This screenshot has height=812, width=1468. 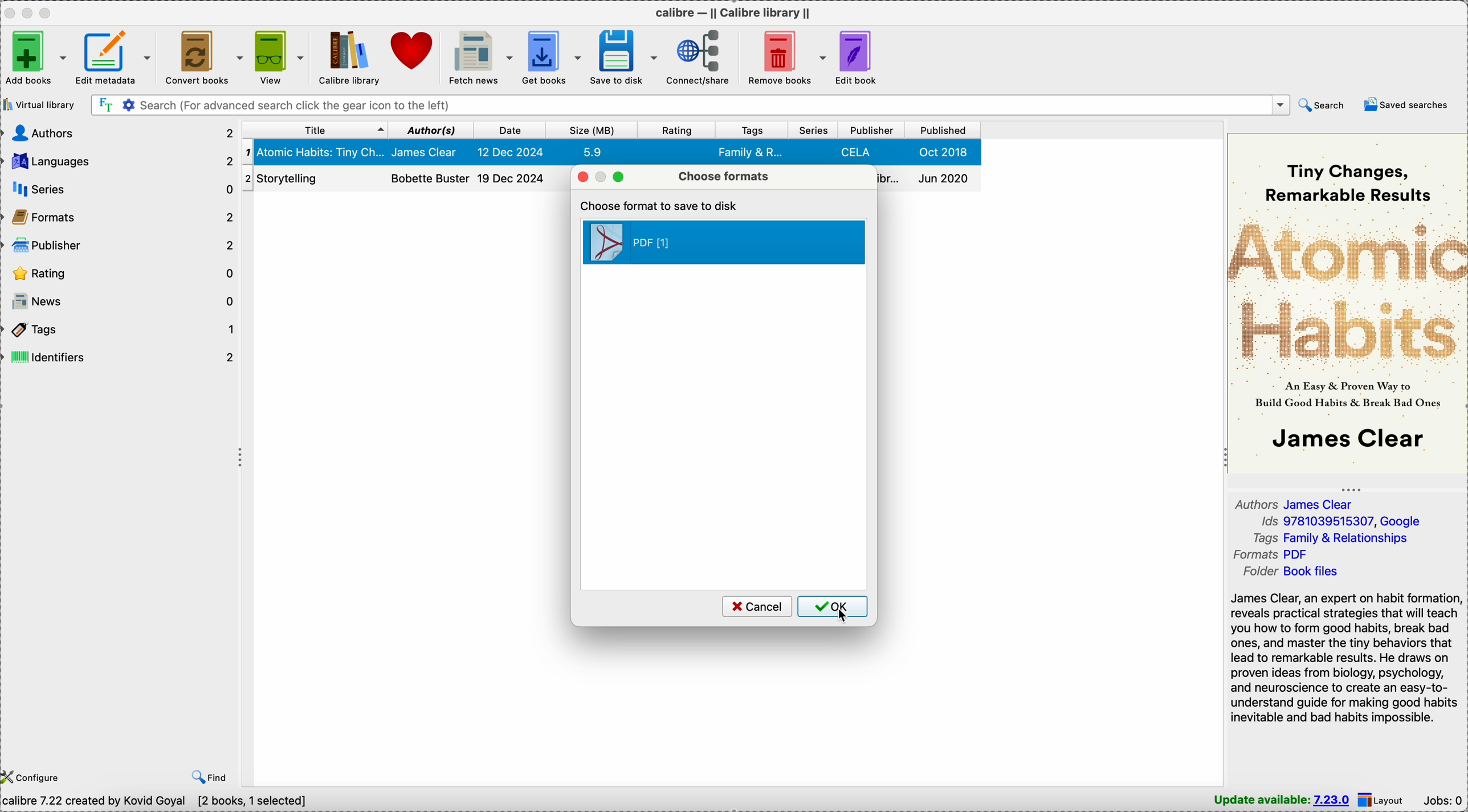 What do you see at coordinates (603, 177) in the screenshot?
I see `disable minimize popup` at bounding box center [603, 177].